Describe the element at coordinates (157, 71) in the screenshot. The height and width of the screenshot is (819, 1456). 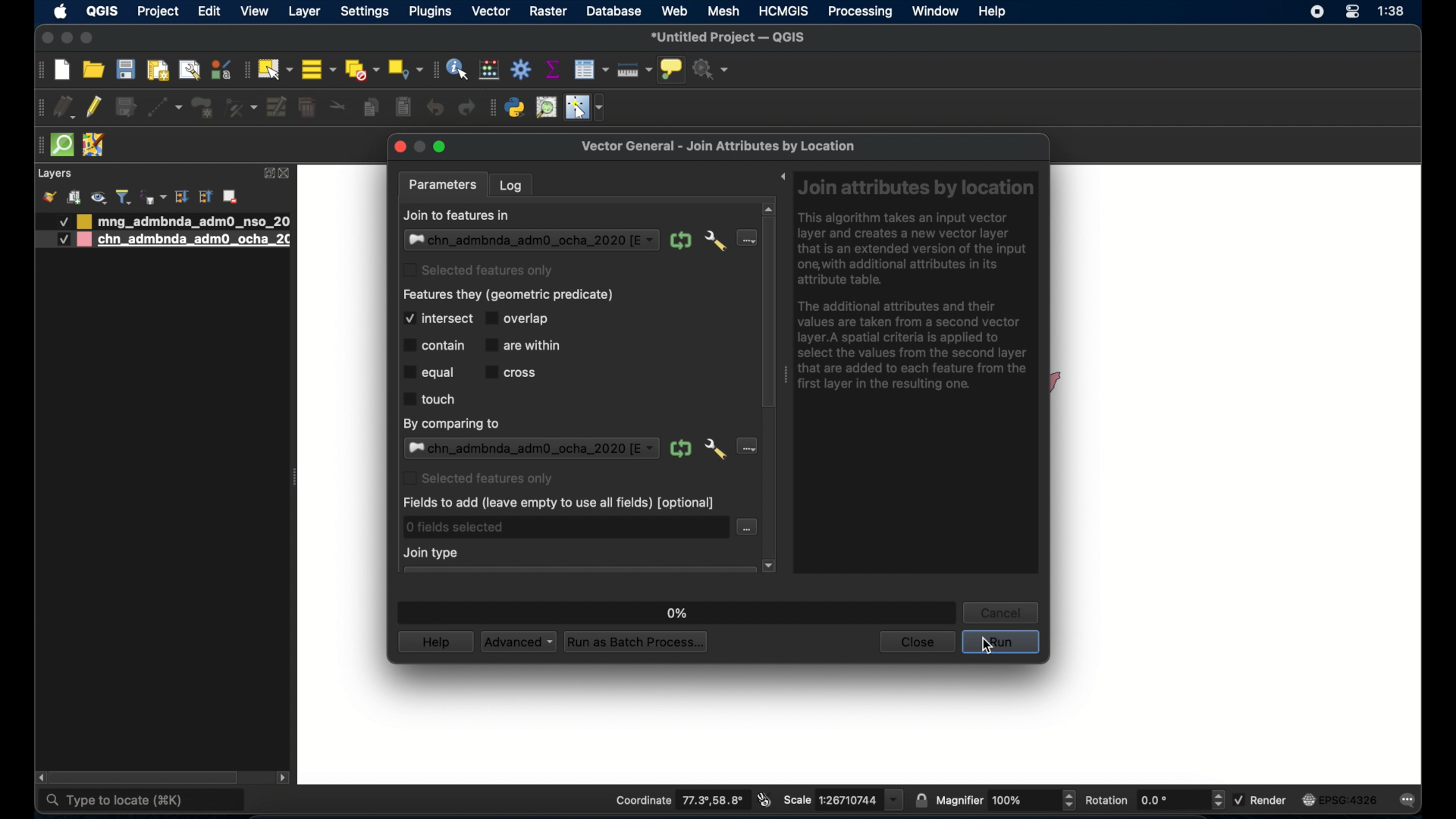
I see `print layout` at that location.